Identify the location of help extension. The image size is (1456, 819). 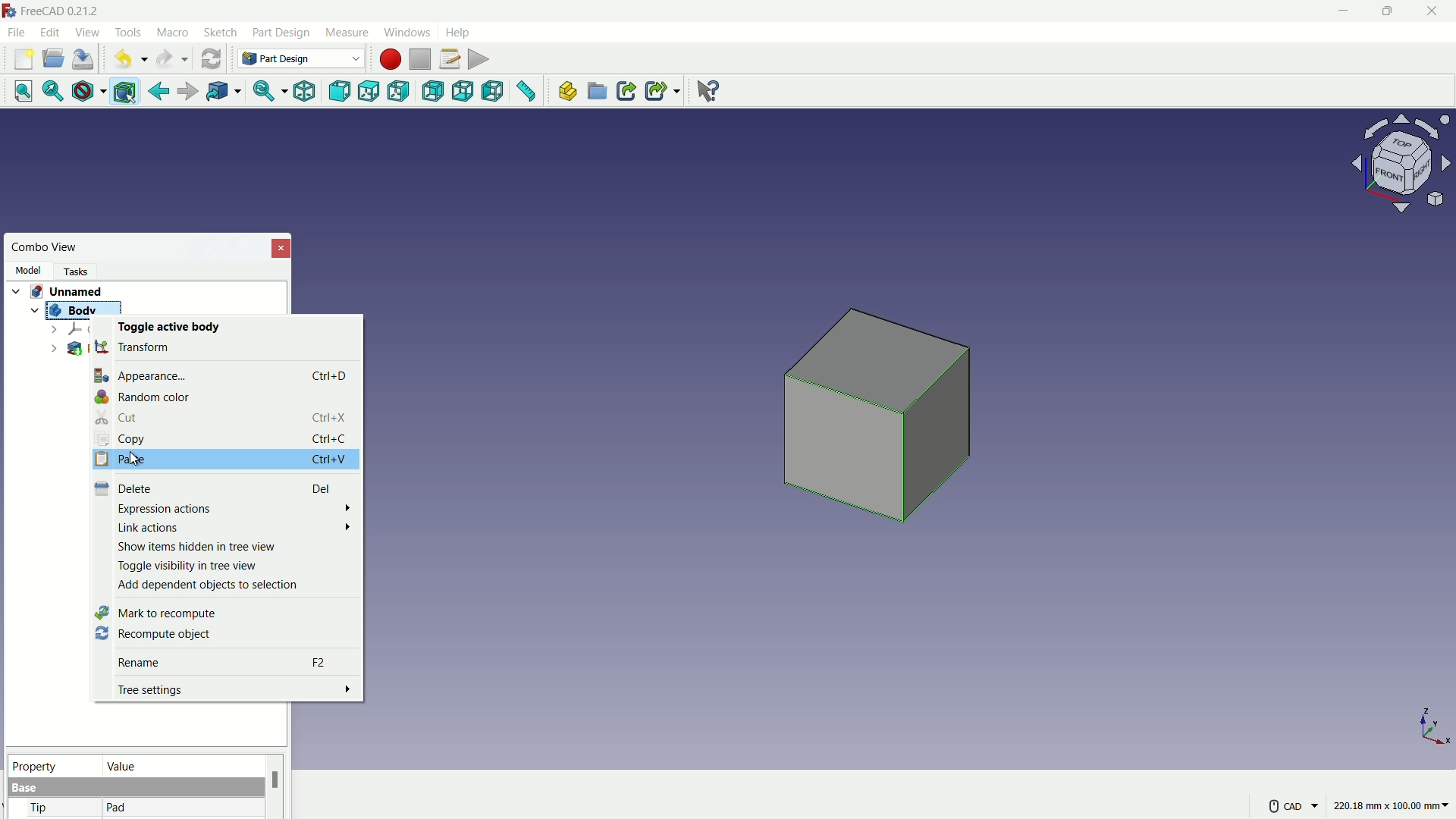
(704, 89).